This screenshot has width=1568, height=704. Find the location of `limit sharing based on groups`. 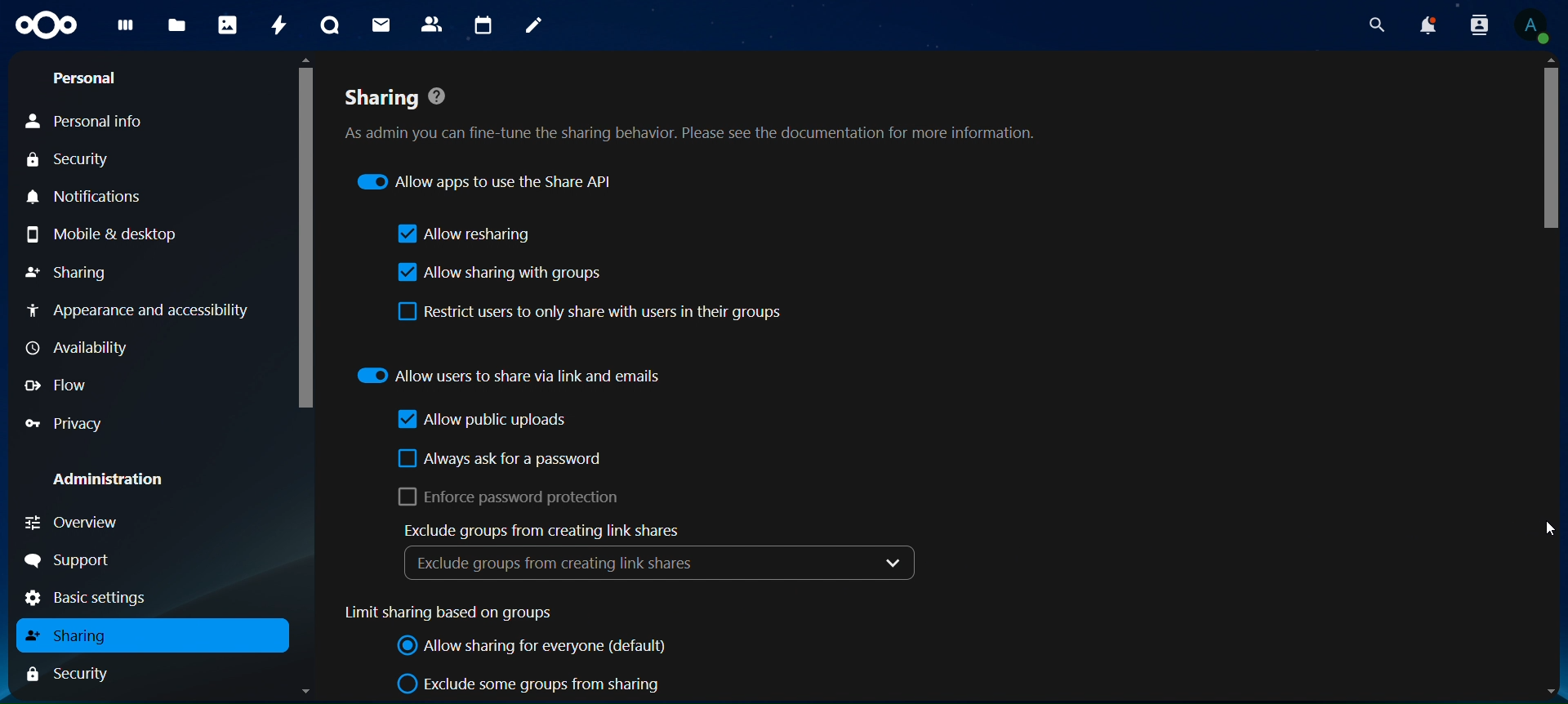

limit sharing based on groups is located at coordinates (452, 611).